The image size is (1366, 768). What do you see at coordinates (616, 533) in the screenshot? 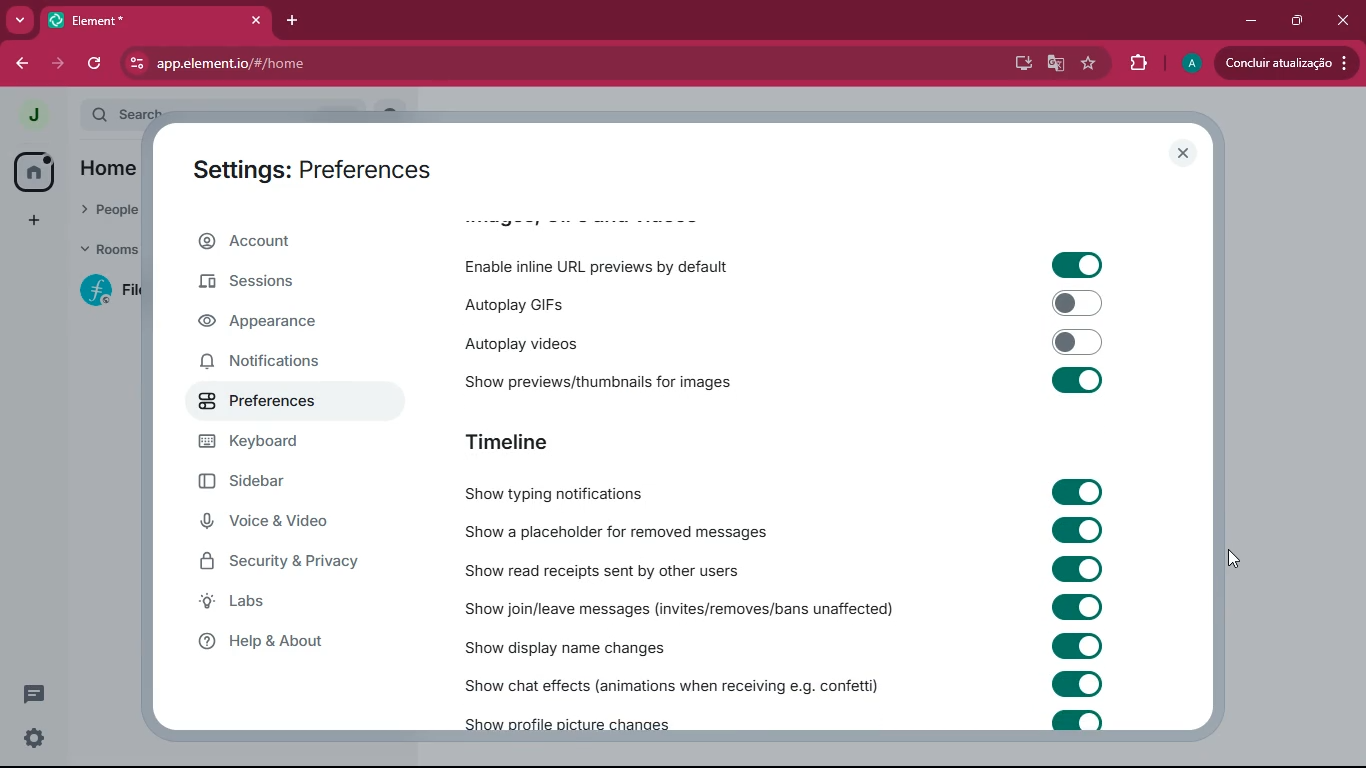
I see `show a placeholder for removed messages` at bounding box center [616, 533].